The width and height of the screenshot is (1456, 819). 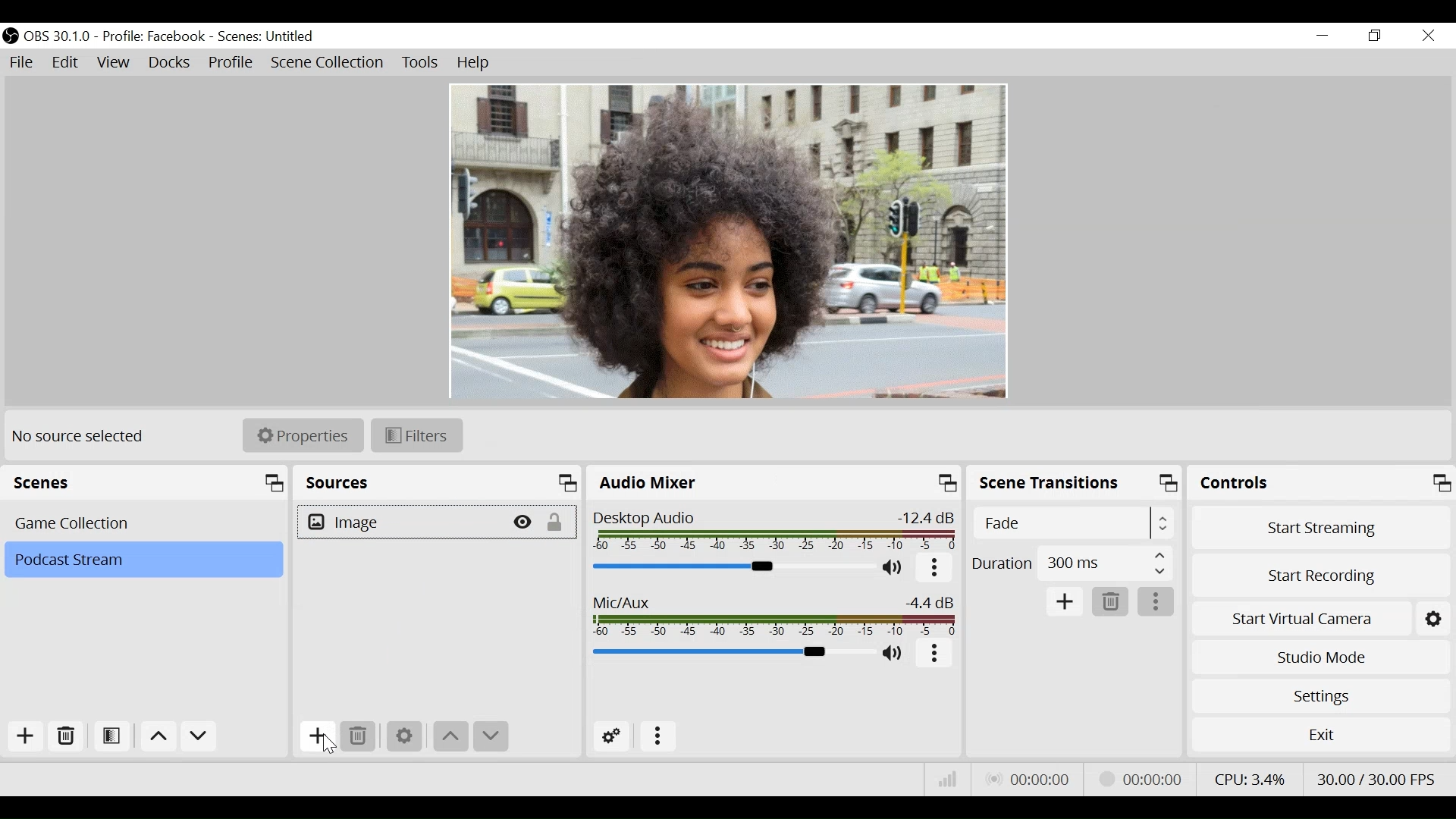 I want to click on More options, so click(x=935, y=569).